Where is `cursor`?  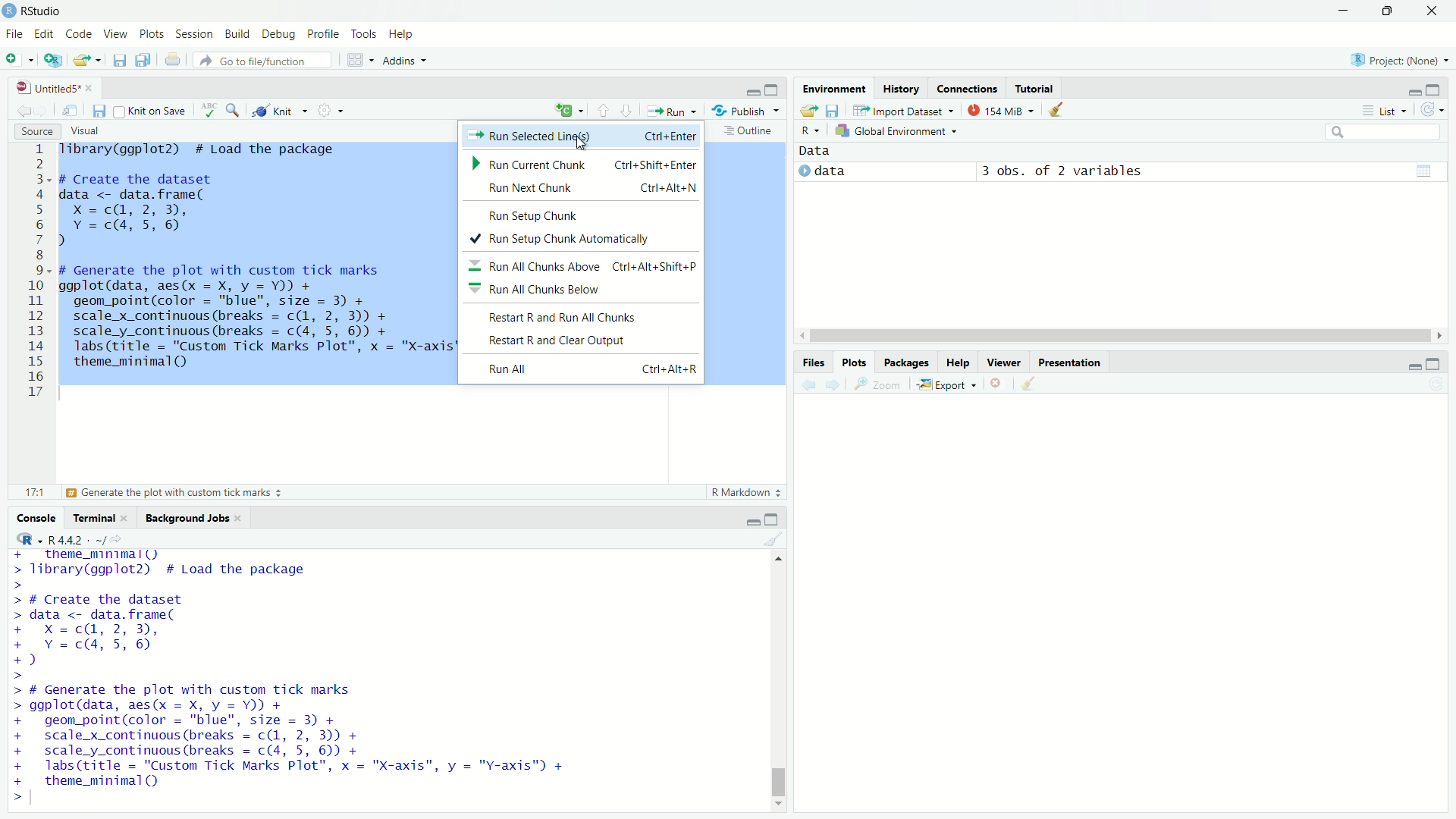 cursor is located at coordinates (588, 143).